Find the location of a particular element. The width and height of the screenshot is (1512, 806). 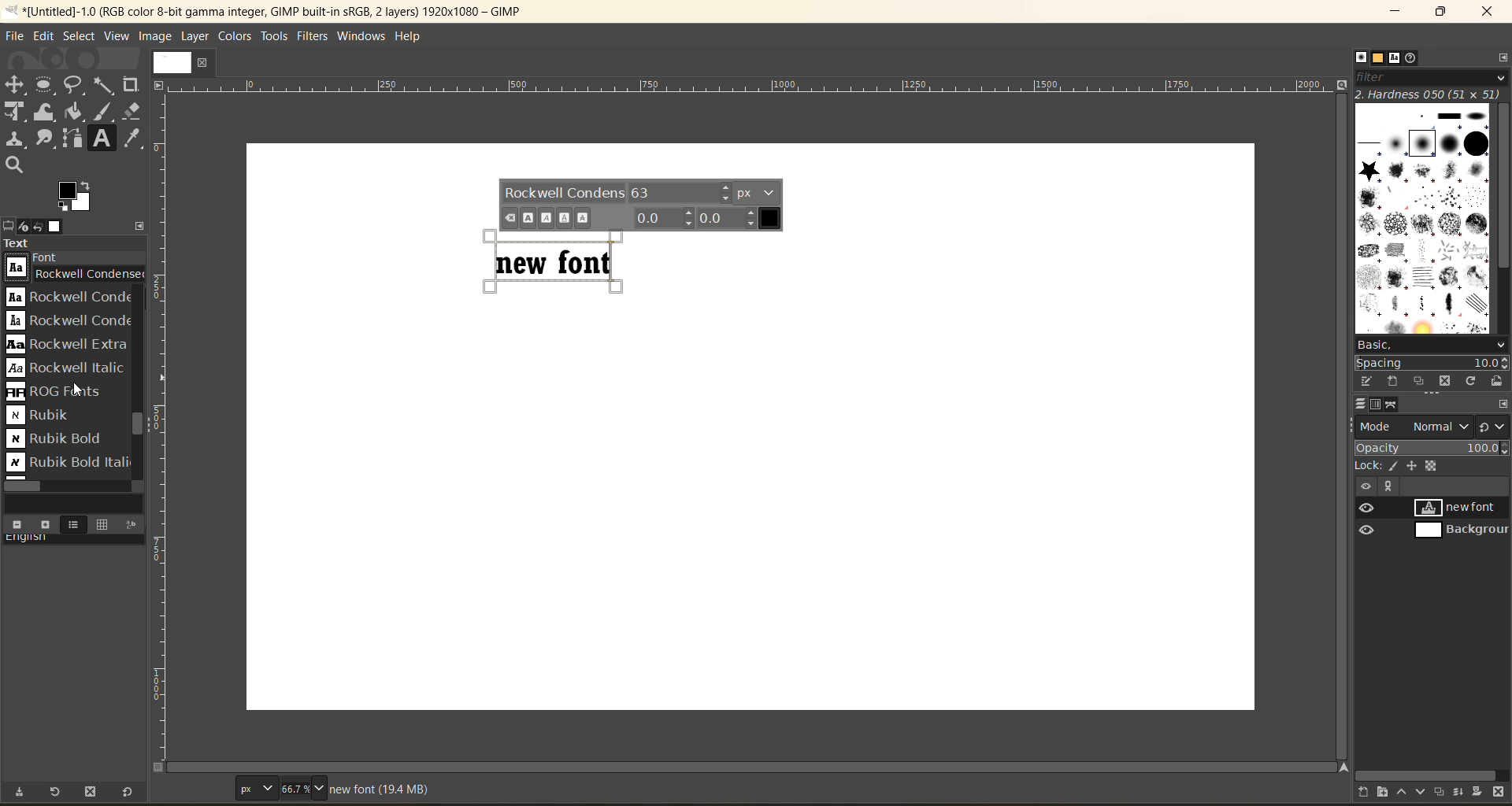

filter is located at coordinates (1433, 76).